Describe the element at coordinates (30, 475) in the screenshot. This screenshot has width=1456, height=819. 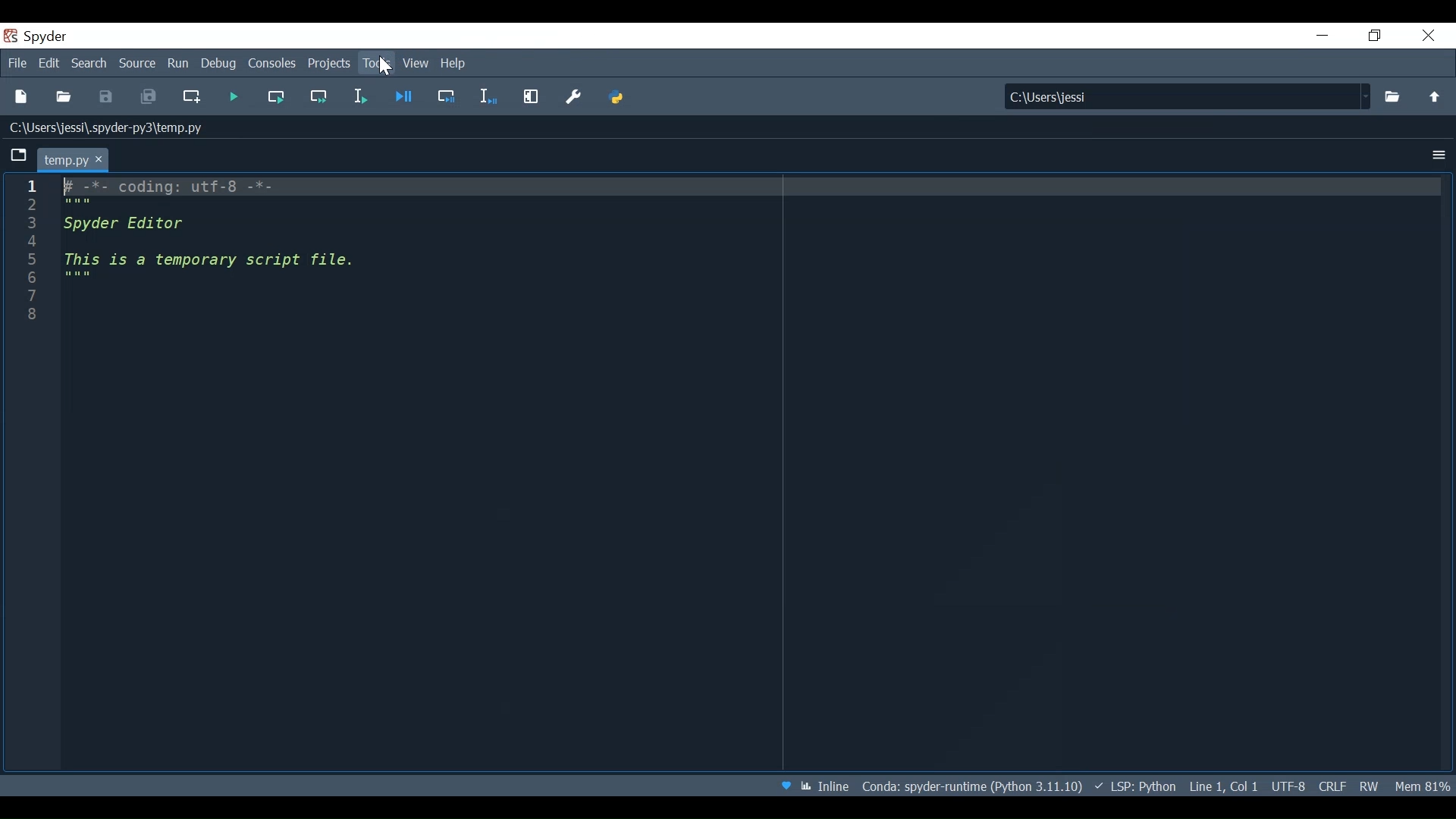
I see `Line column` at that location.